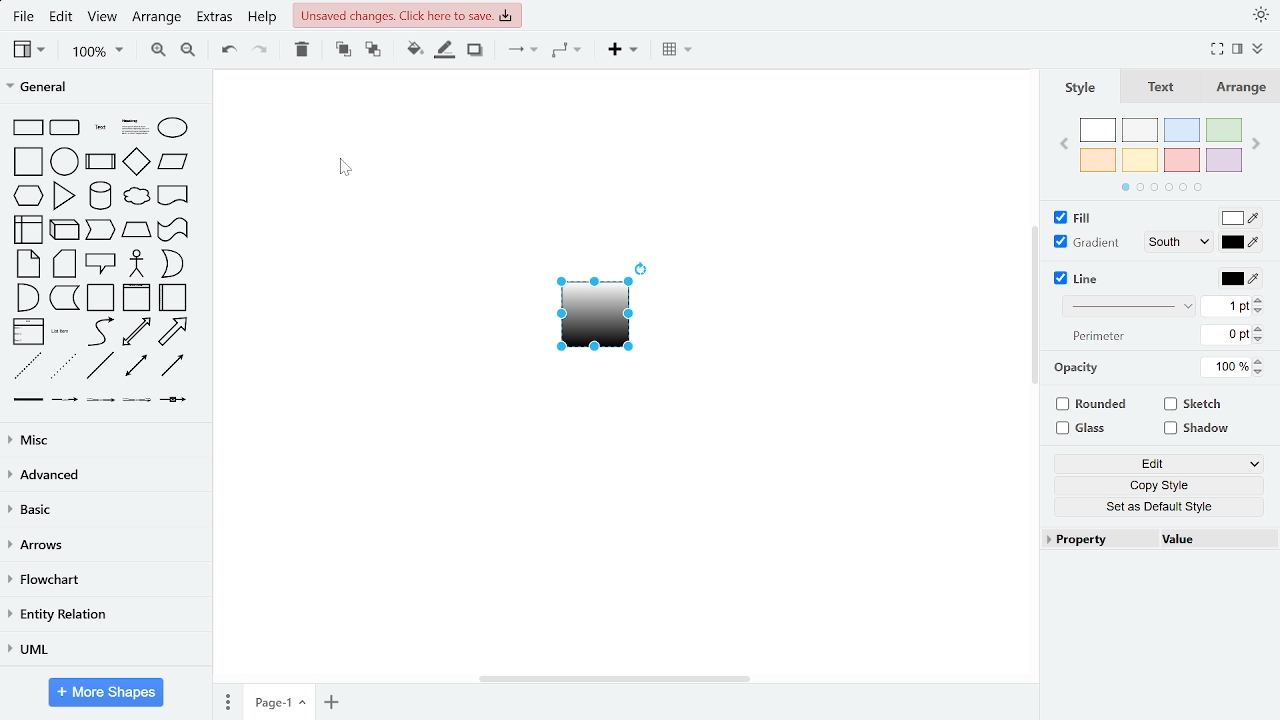  Describe the element at coordinates (1260, 14) in the screenshot. I see `appearance` at that location.